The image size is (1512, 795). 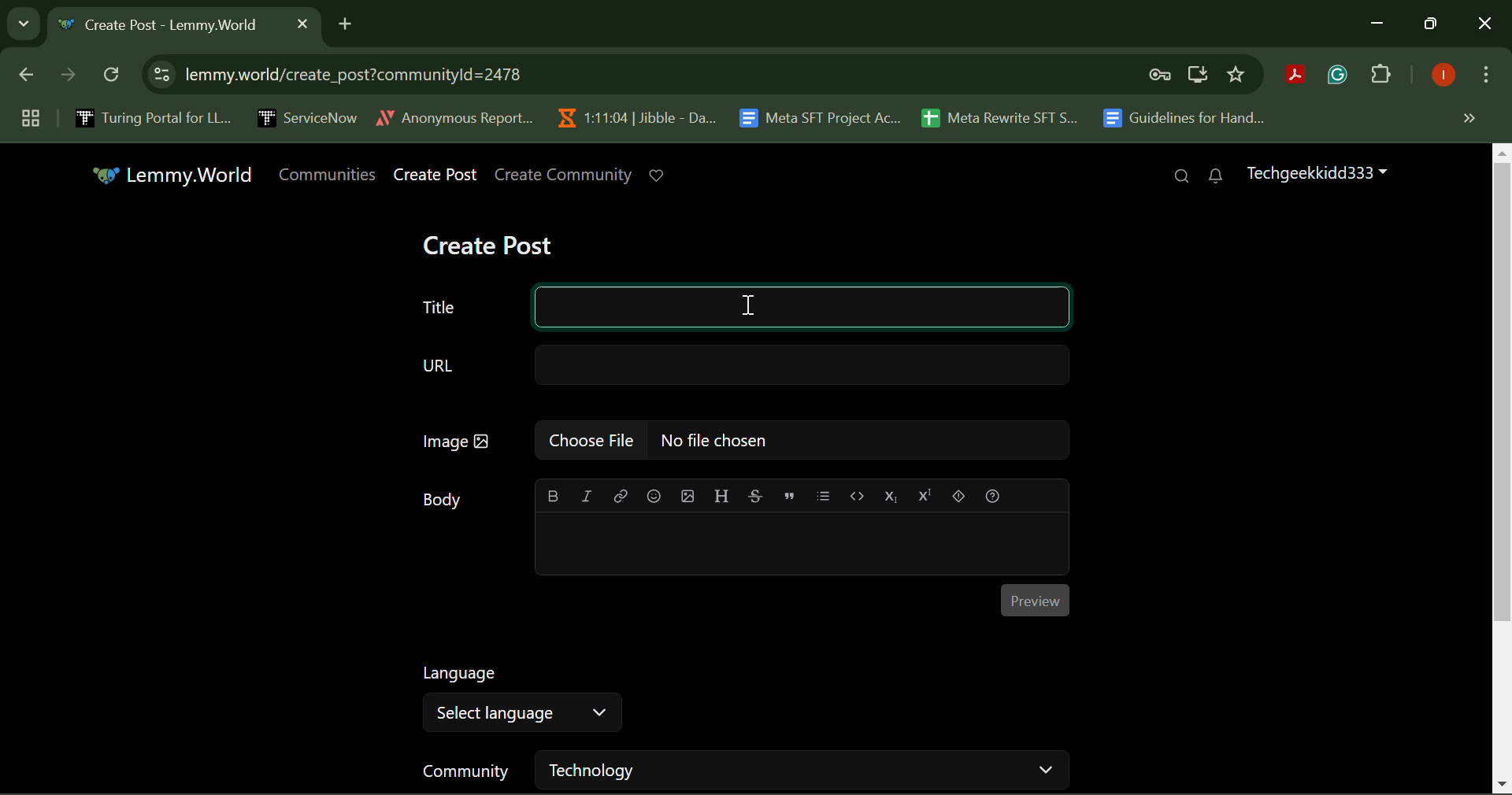 I want to click on Hidden Bookmarks, so click(x=1468, y=117).